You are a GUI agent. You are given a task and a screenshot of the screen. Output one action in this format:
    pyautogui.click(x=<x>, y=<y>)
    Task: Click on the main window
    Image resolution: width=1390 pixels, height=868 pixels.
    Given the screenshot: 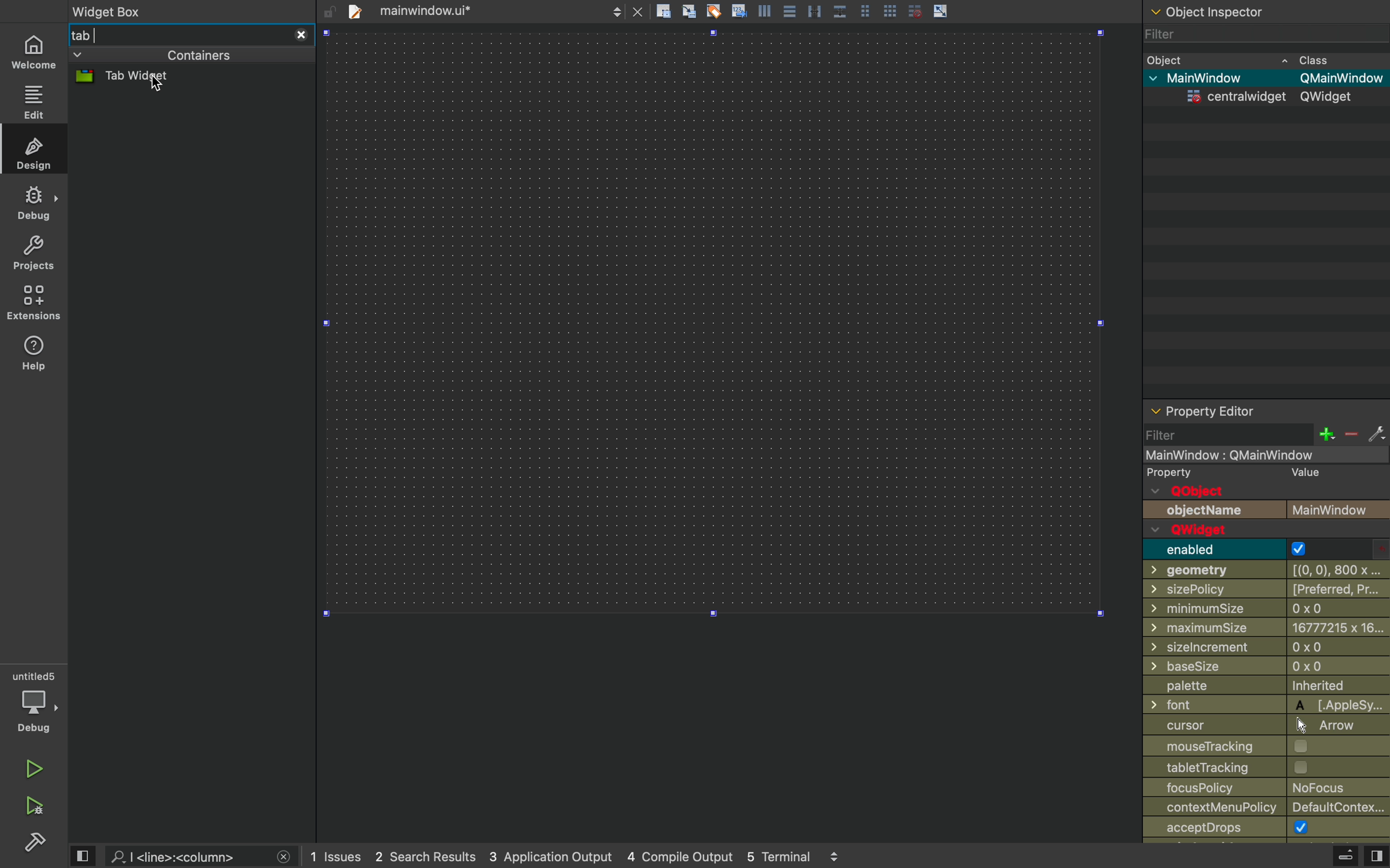 What is the action you would take?
    pyautogui.click(x=1262, y=79)
    